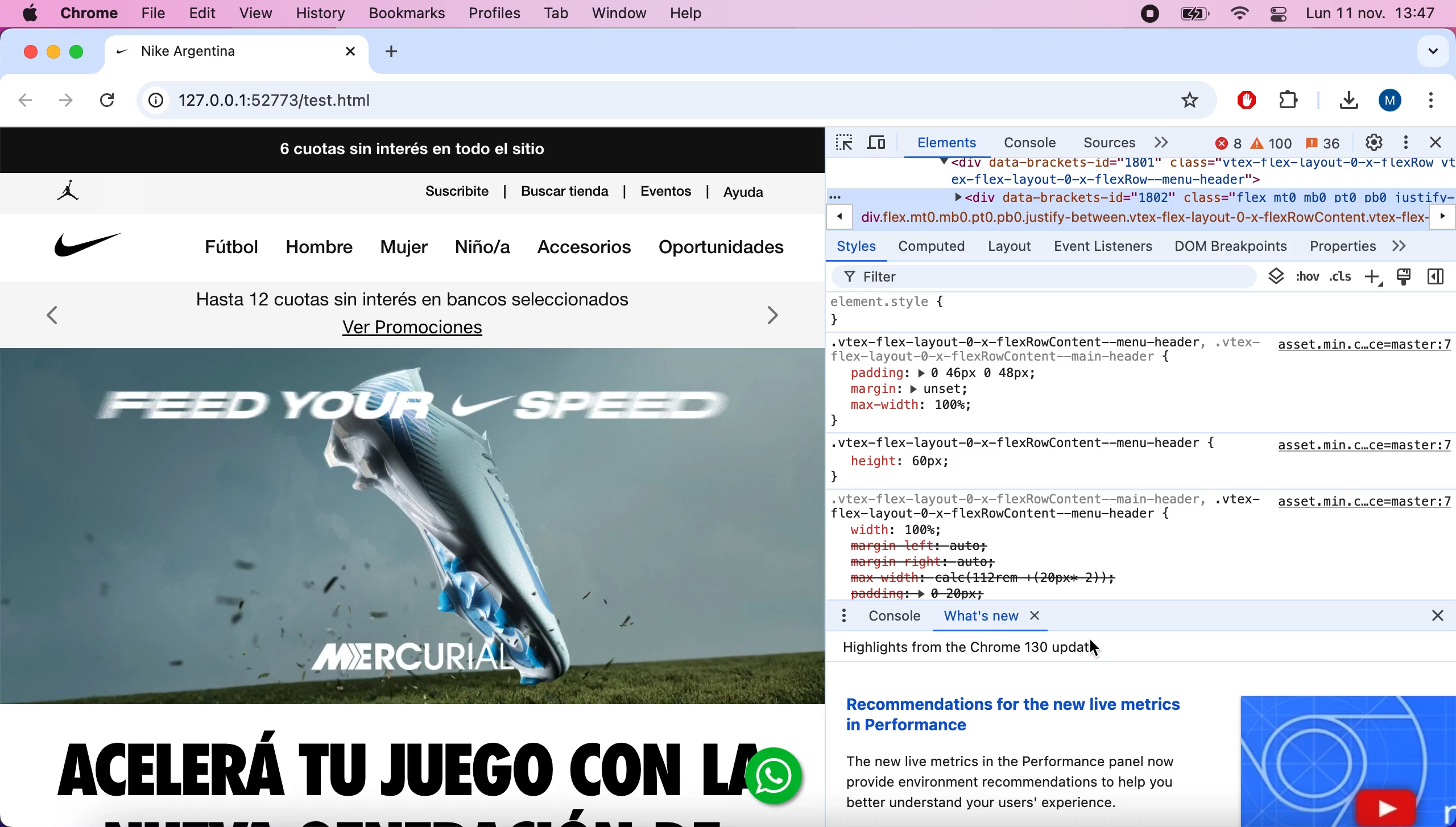 Image resolution: width=1456 pixels, height=827 pixels. What do you see at coordinates (1195, 16) in the screenshot?
I see `battery` at bounding box center [1195, 16].